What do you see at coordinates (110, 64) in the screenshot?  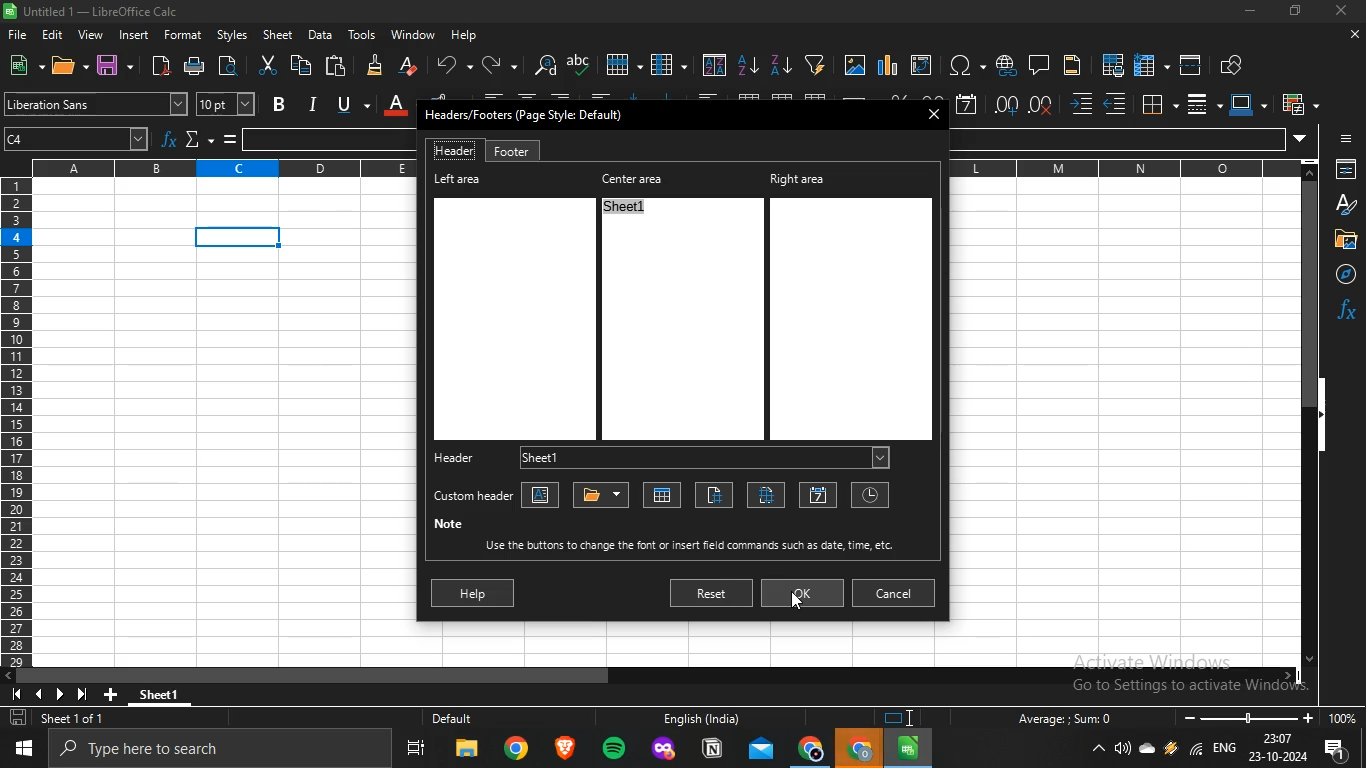 I see `save` at bounding box center [110, 64].